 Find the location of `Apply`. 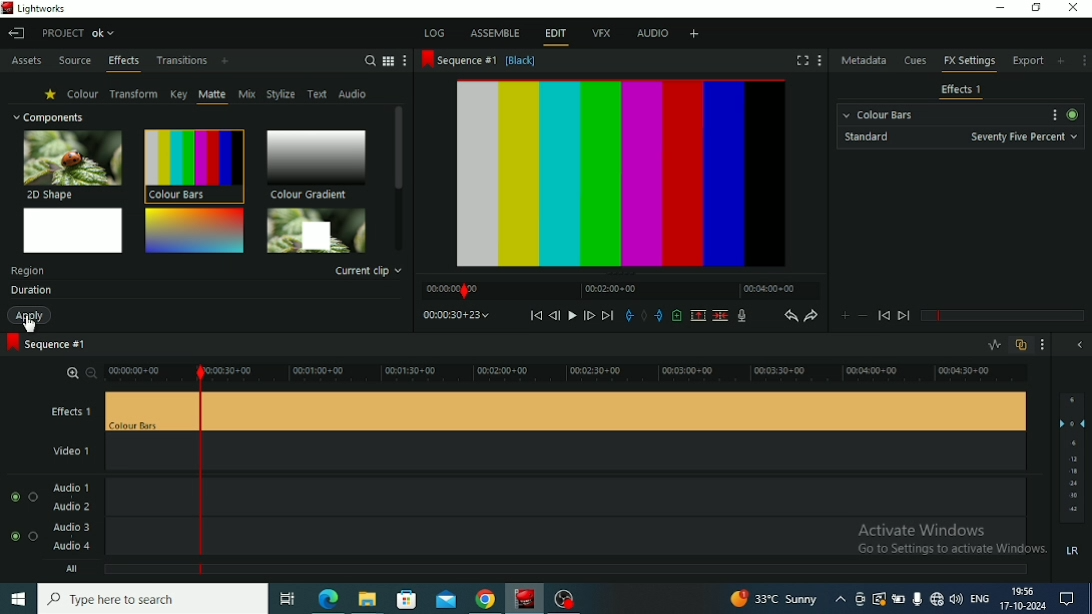

Apply is located at coordinates (32, 315).